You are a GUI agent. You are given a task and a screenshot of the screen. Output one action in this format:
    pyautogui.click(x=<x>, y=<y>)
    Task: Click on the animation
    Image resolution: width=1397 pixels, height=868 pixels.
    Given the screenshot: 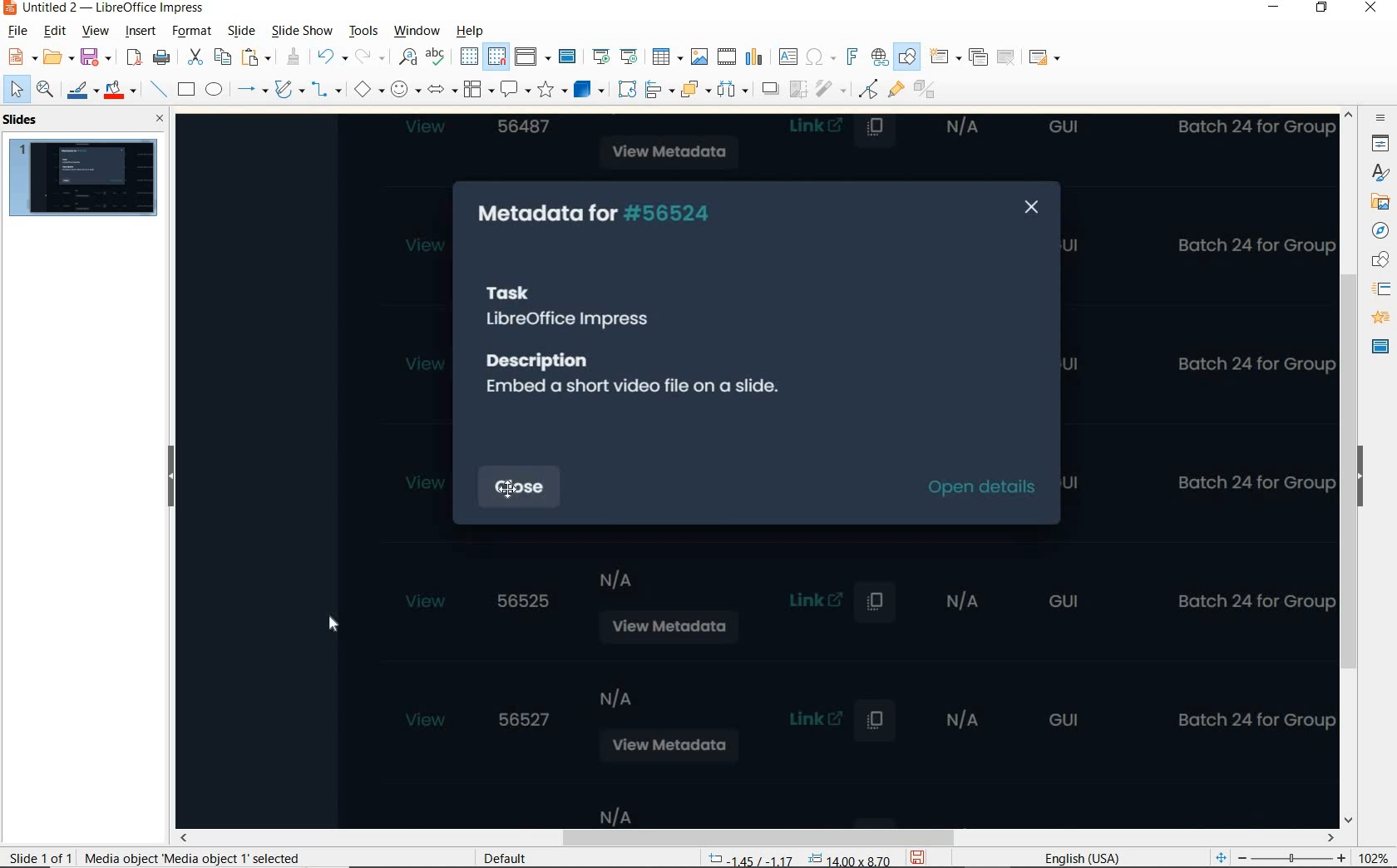 What is the action you would take?
    pyautogui.click(x=1381, y=171)
    